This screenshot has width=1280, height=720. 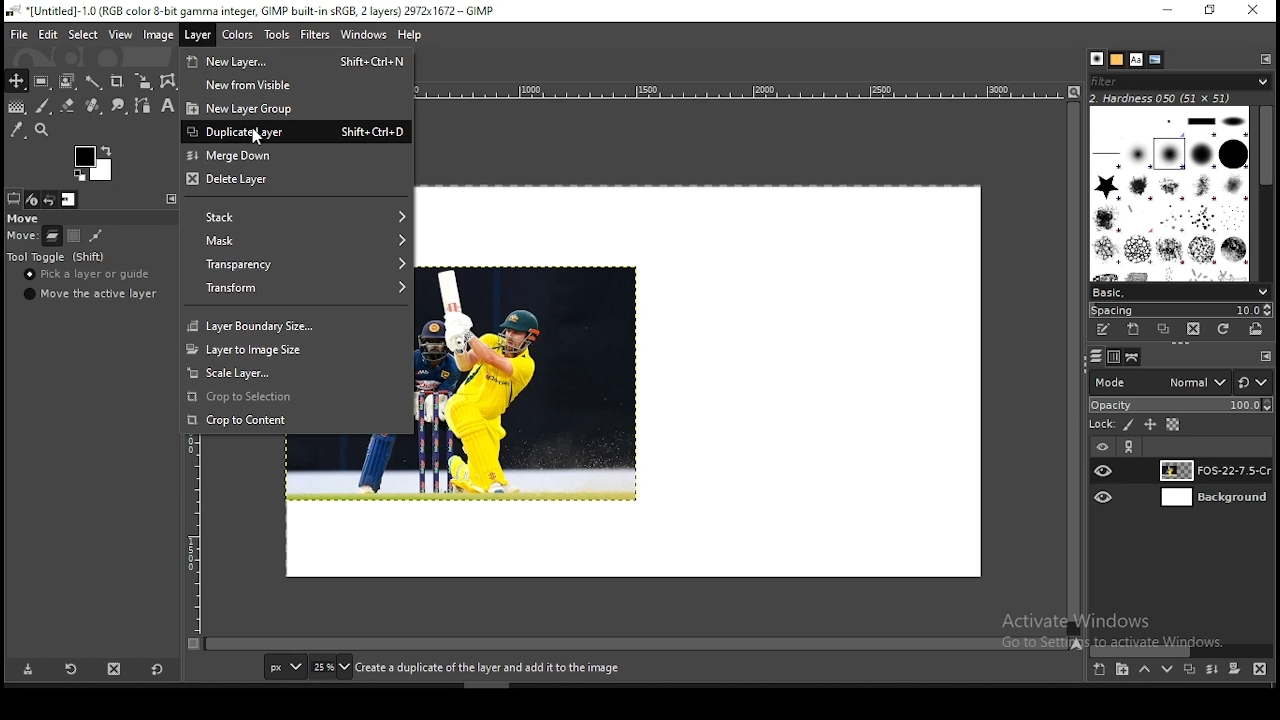 I want to click on brushes, so click(x=1097, y=59).